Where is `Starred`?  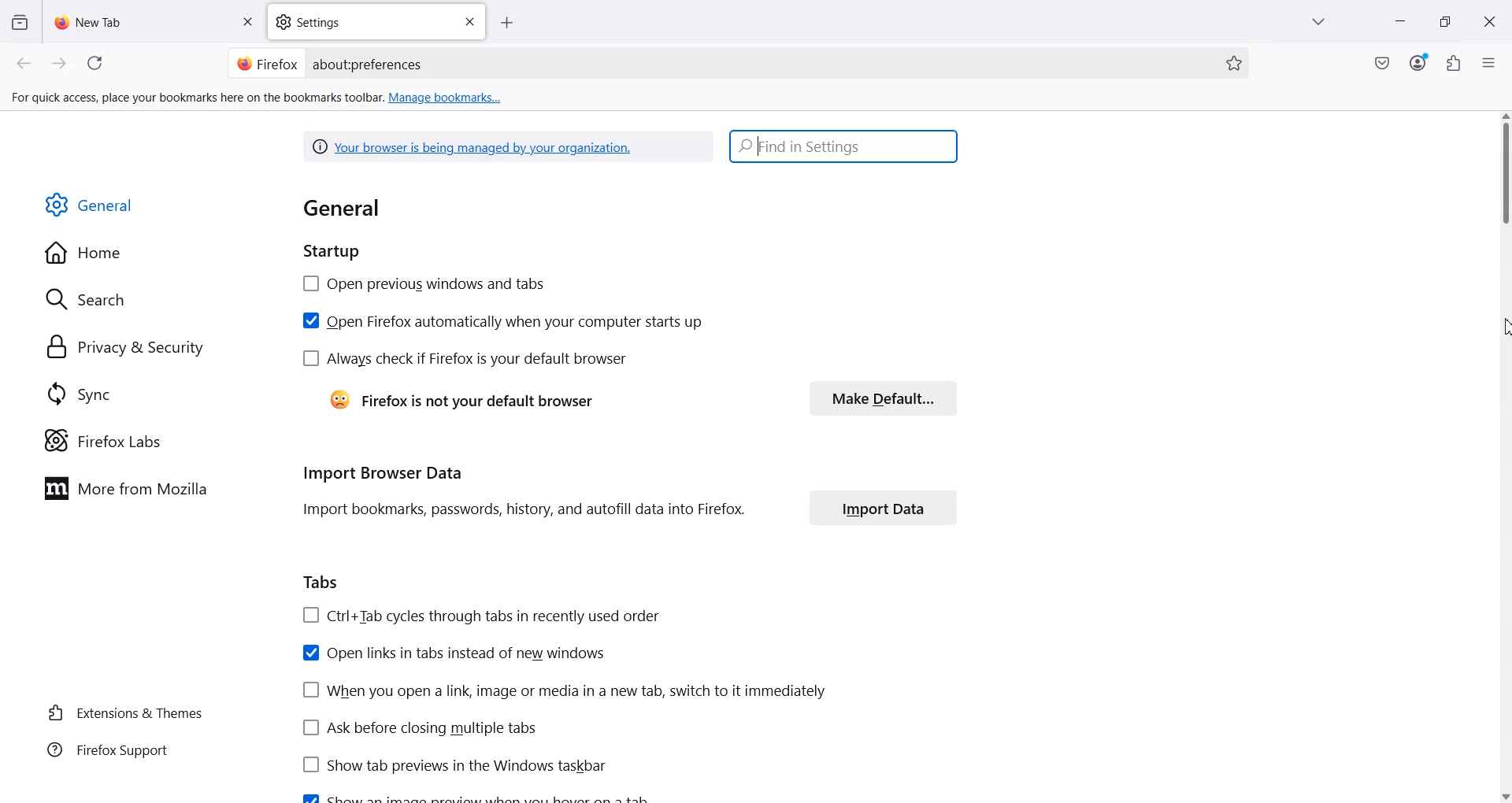
Starred is located at coordinates (1234, 64).